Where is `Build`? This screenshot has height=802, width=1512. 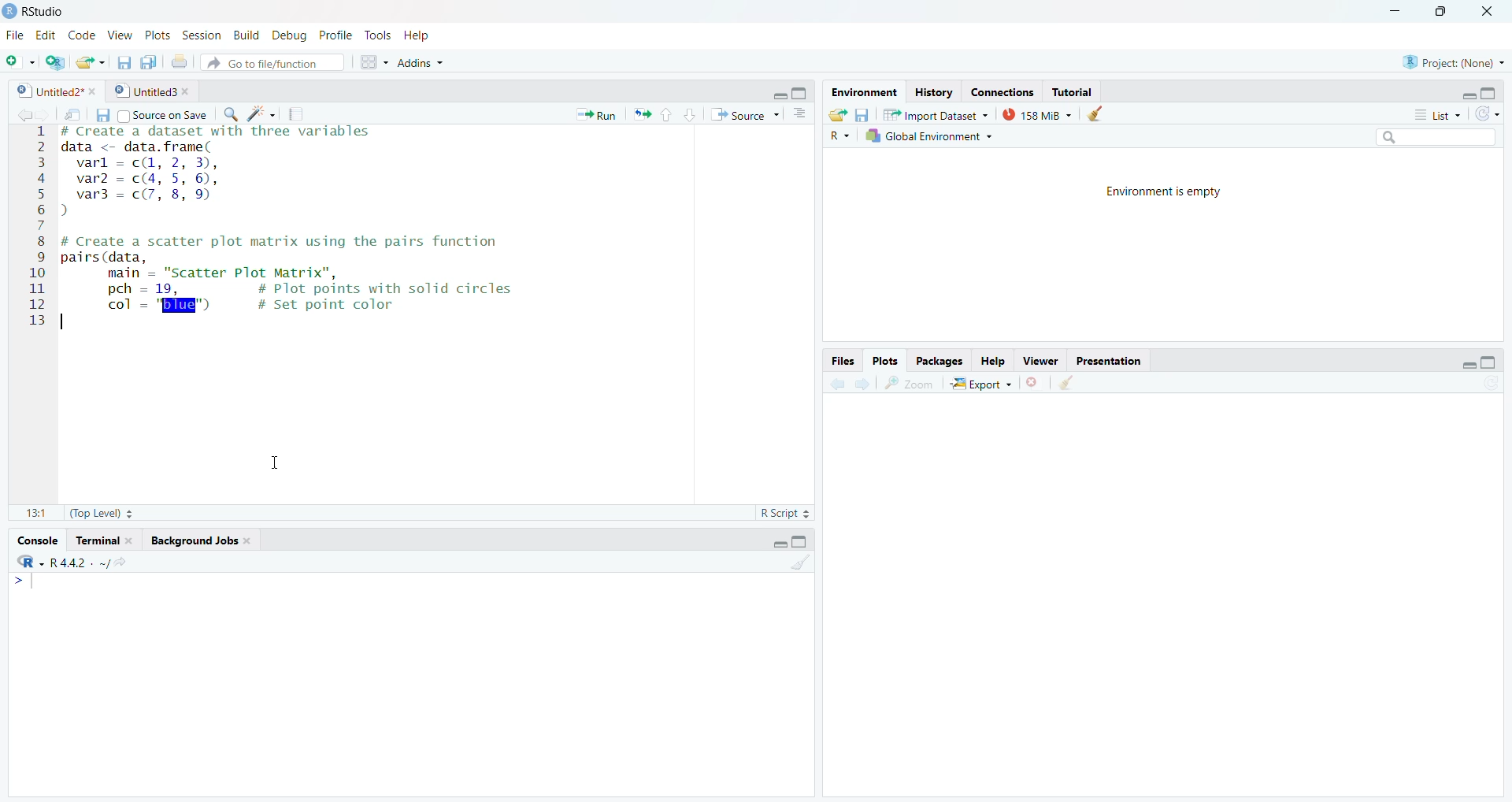 Build is located at coordinates (245, 35).